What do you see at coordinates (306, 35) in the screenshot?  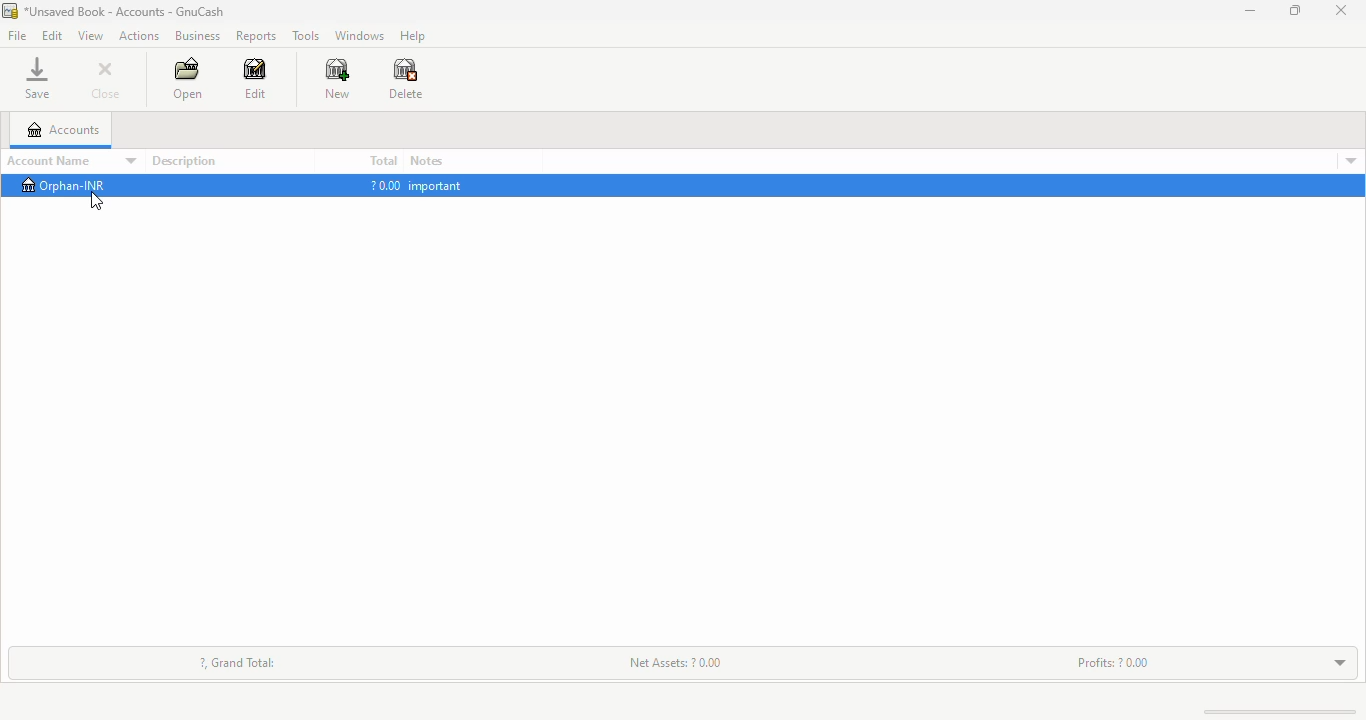 I see `tools` at bounding box center [306, 35].